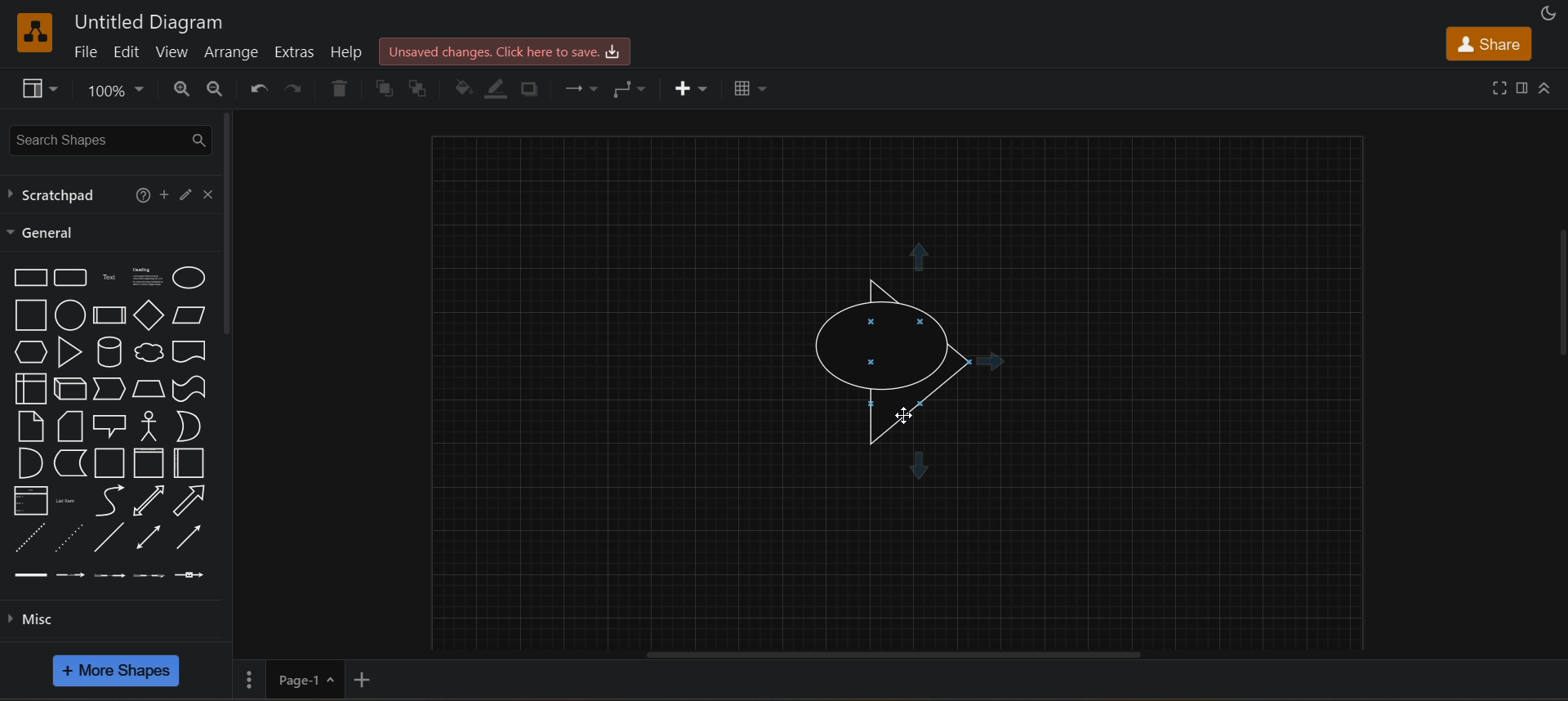  What do you see at coordinates (214, 86) in the screenshot?
I see `zoom out` at bounding box center [214, 86].